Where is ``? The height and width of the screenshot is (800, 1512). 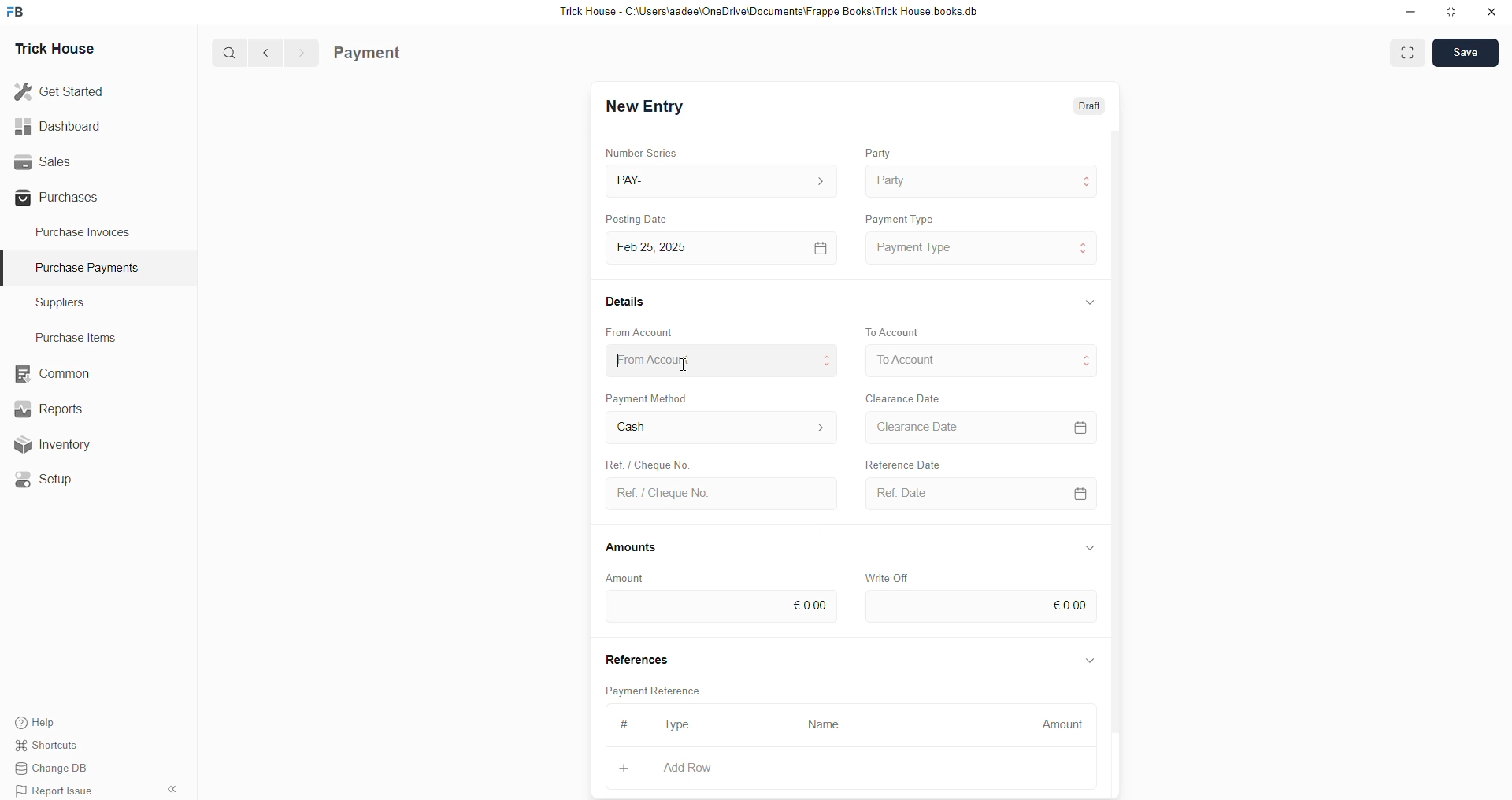  is located at coordinates (1091, 547).